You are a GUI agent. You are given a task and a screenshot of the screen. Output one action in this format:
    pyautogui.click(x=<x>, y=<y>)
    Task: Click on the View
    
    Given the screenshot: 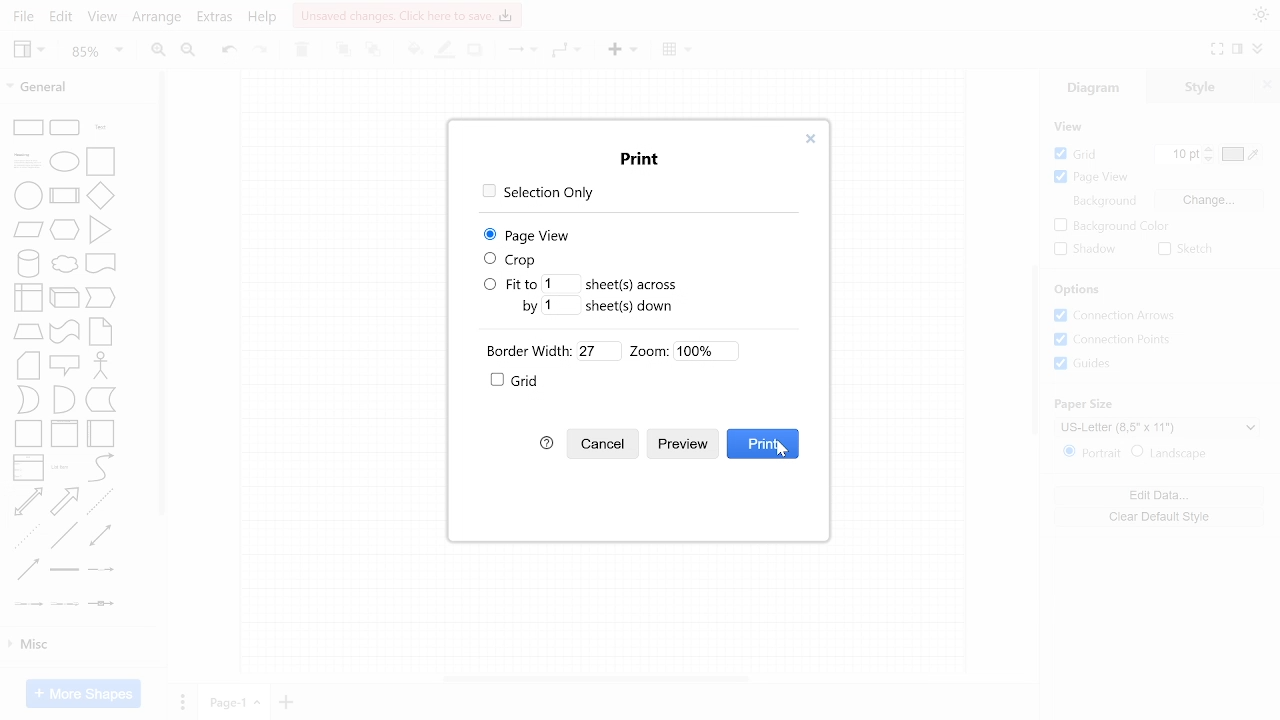 What is the action you would take?
    pyautogui.click(x=29, y=51)
    